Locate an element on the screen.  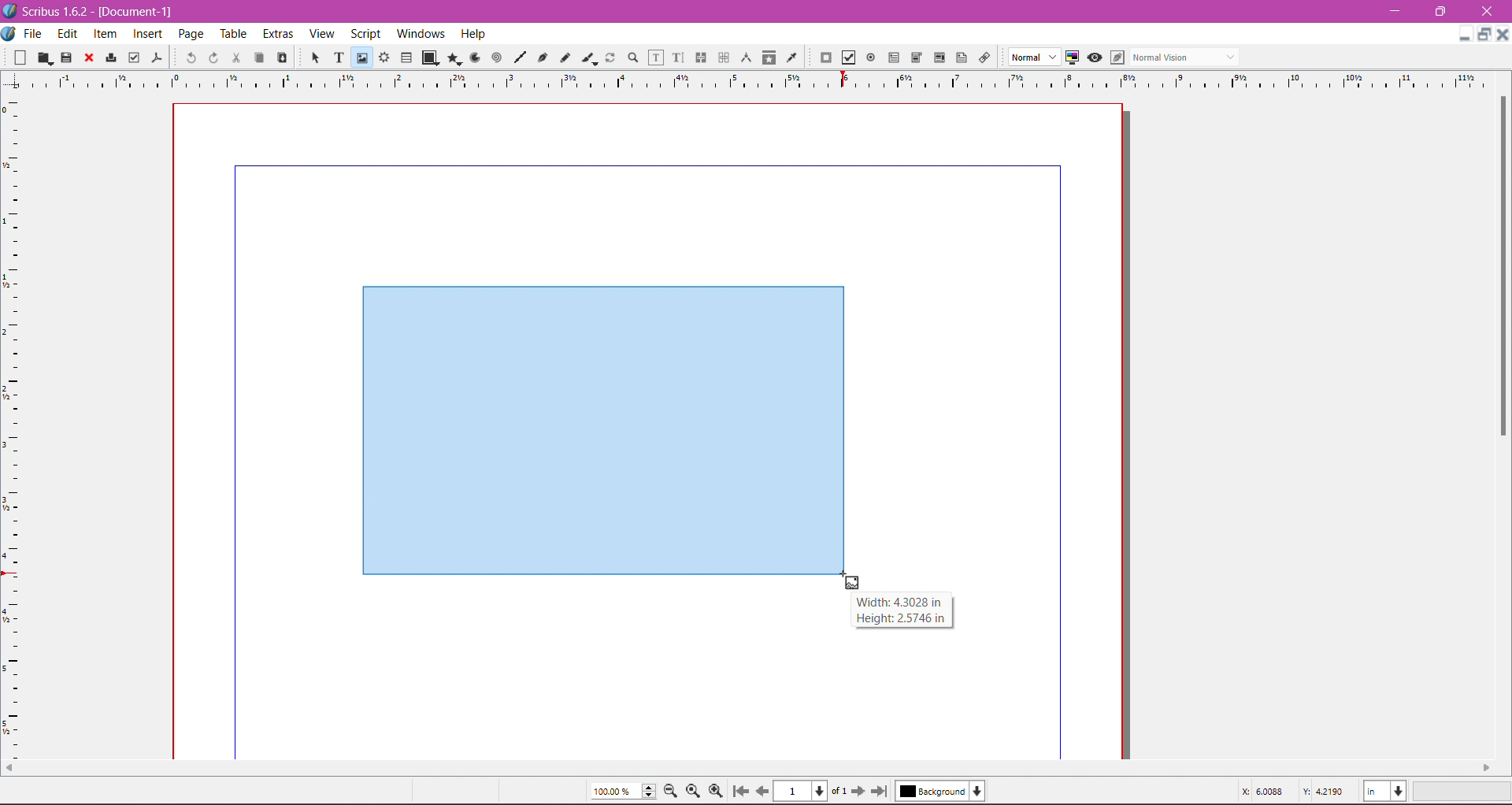
Select the image preview quality is located at coordinates (1033, 57).